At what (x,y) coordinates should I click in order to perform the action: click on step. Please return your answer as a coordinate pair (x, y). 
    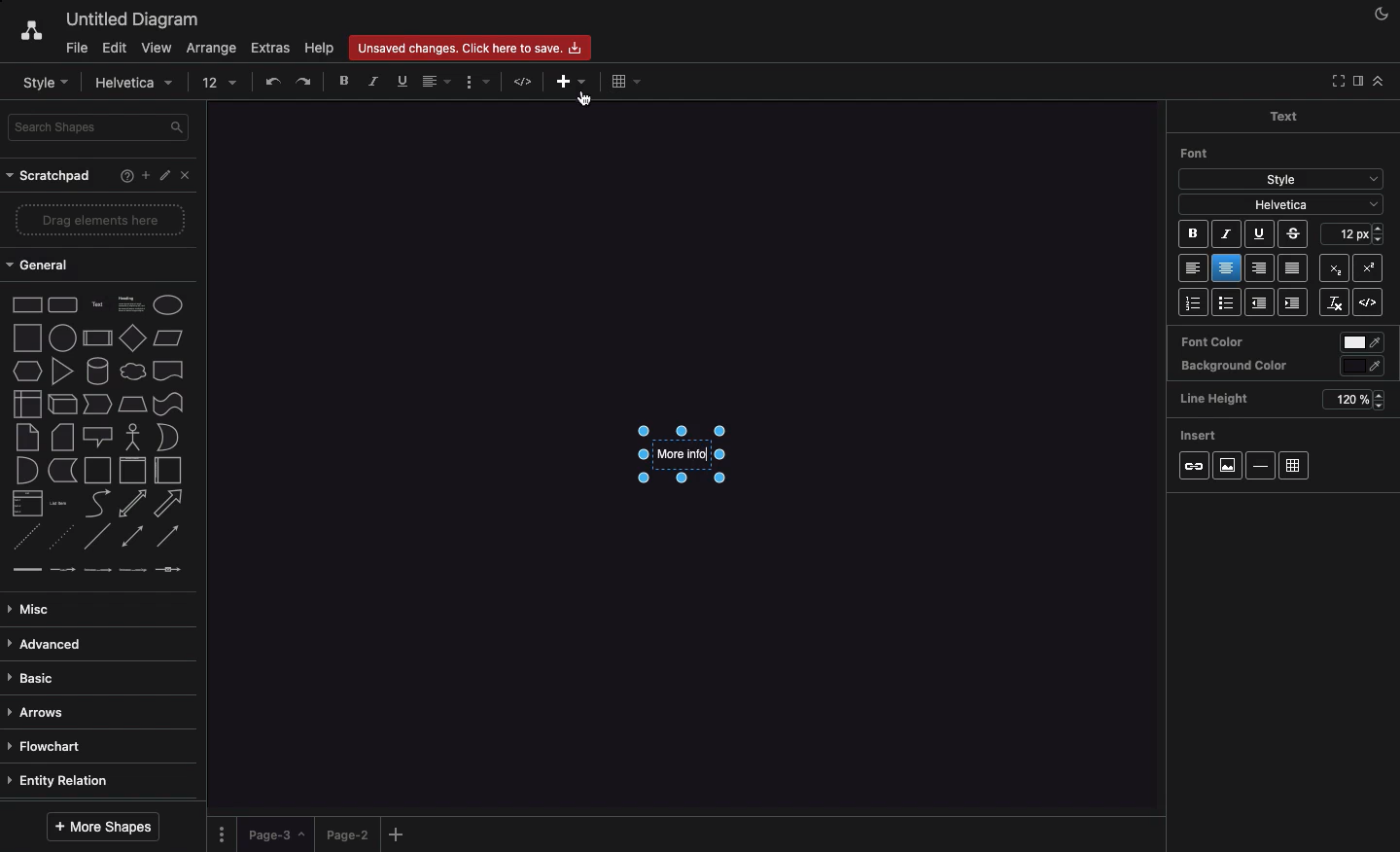
    Looking at the image, I should click on (97, 404).